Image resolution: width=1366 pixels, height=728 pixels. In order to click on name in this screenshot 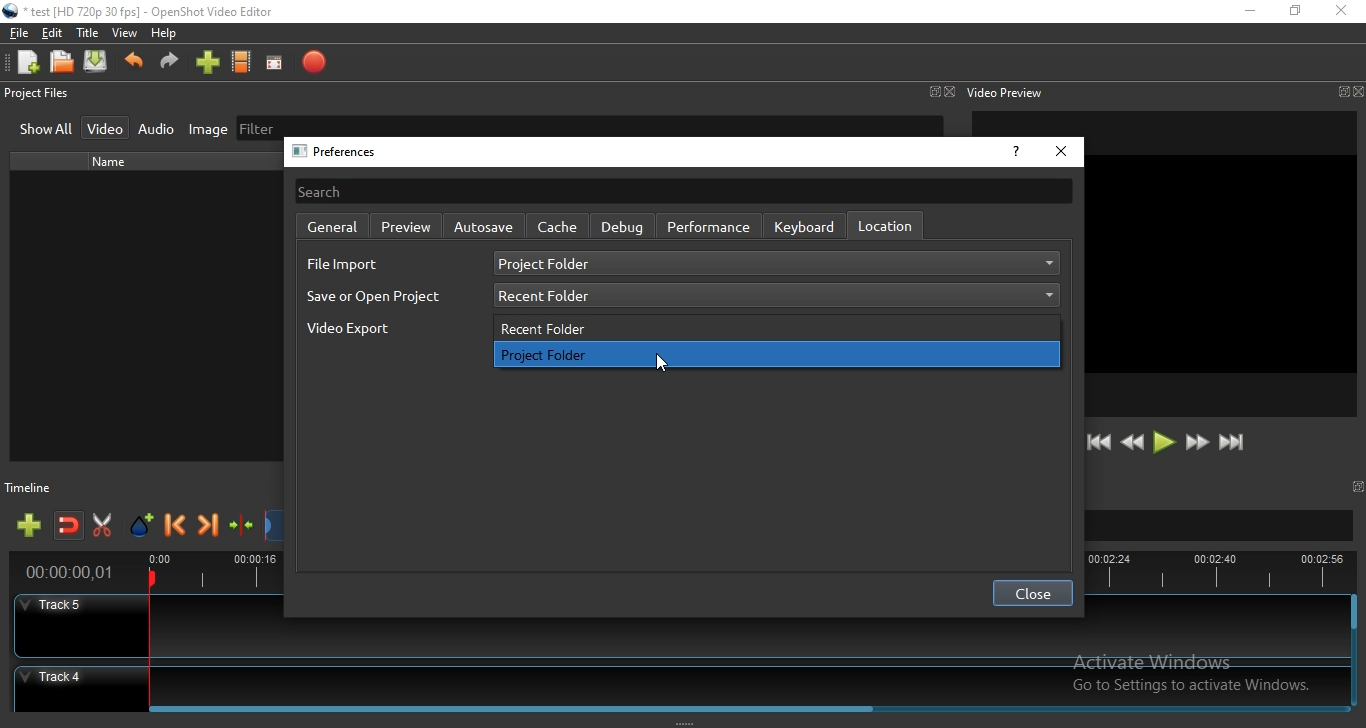, I will do `click(116, 162)`.